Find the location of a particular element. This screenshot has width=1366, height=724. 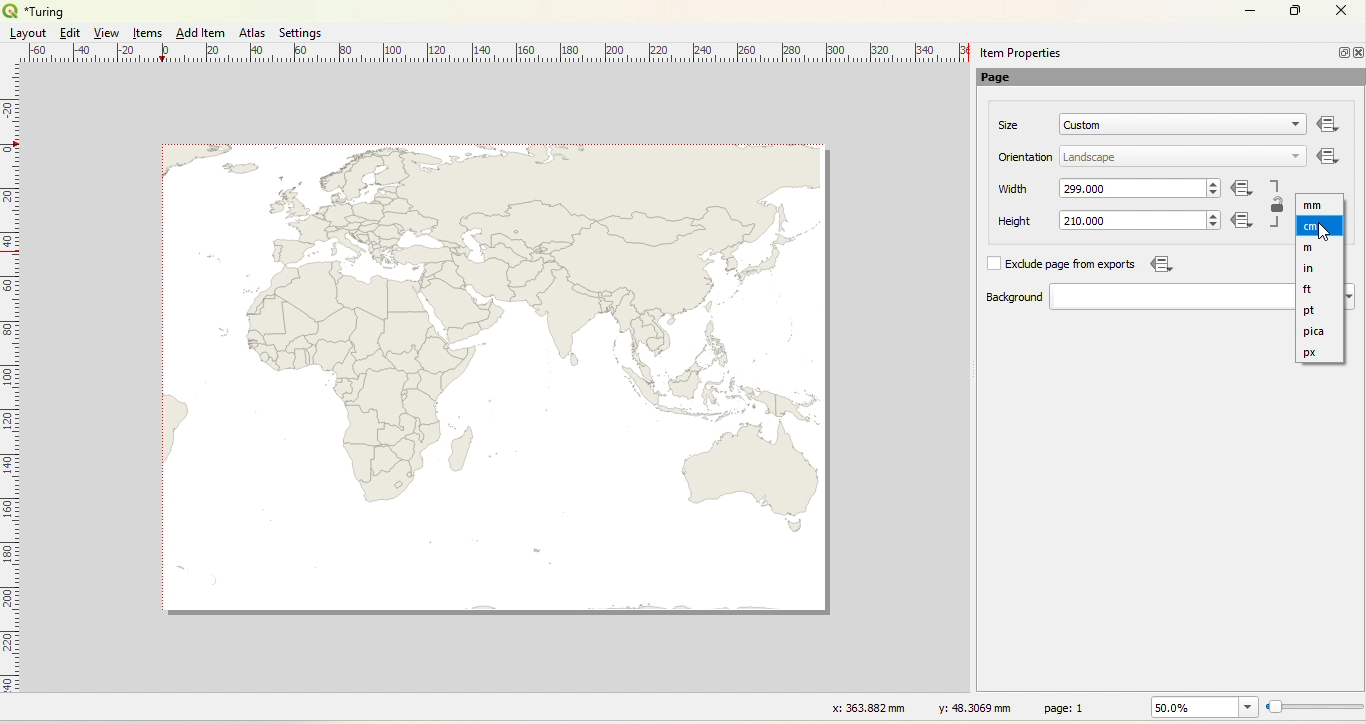

Icon is located at coordinates (1326, 155).